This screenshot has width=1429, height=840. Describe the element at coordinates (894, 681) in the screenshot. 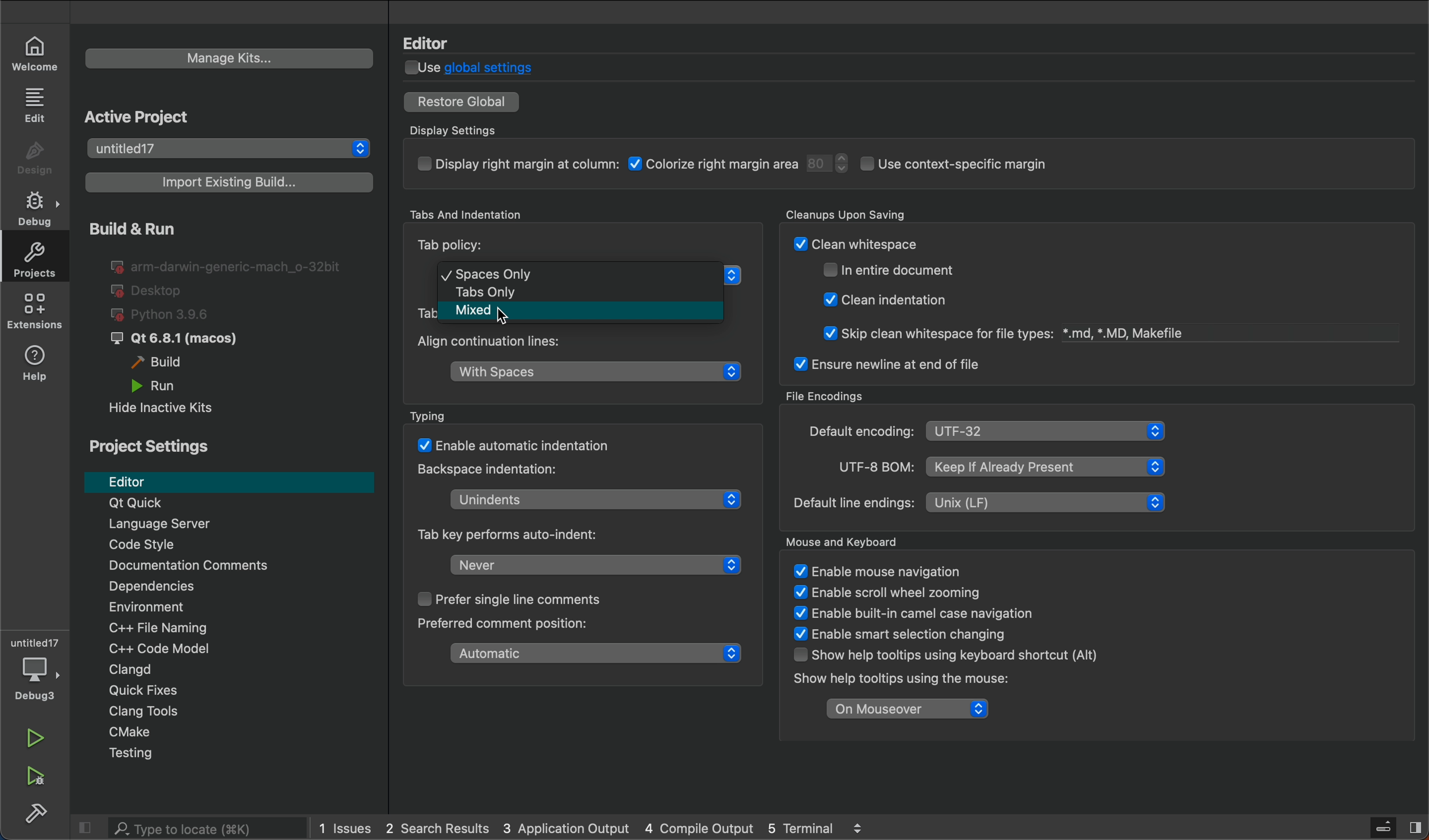

I see `show help tootlips` at that location.